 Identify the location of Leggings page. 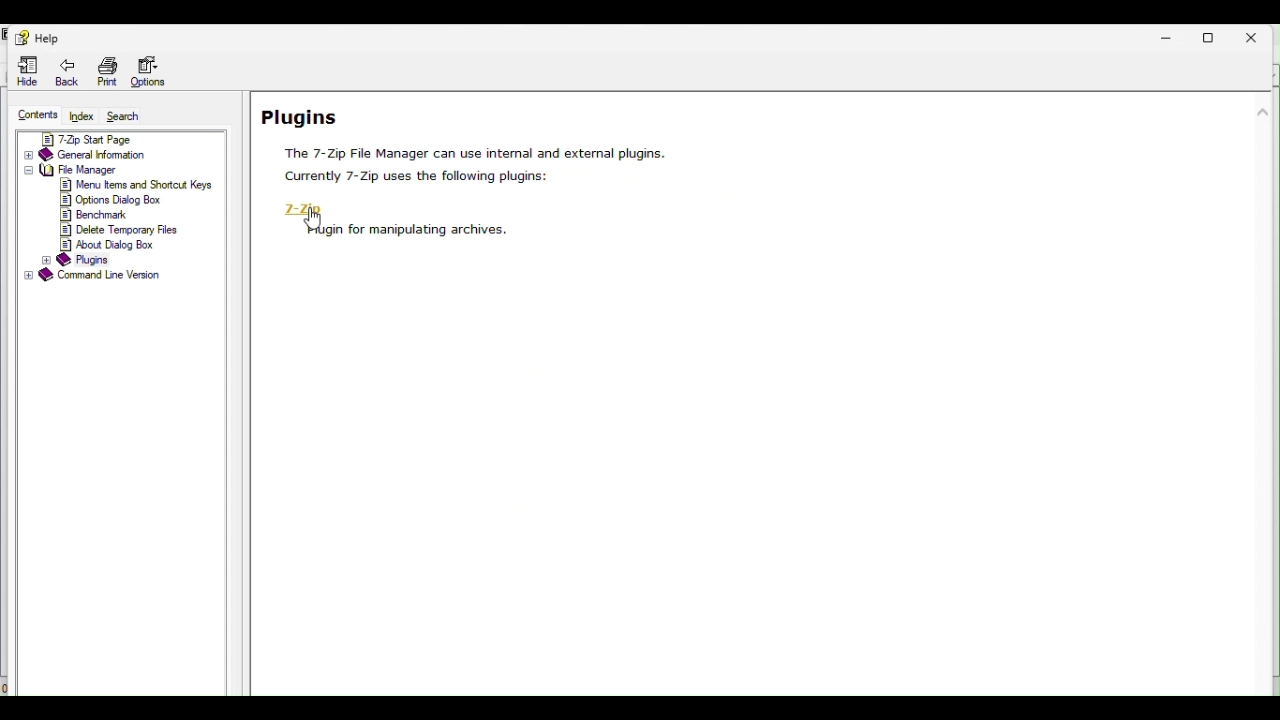
(478, 146).